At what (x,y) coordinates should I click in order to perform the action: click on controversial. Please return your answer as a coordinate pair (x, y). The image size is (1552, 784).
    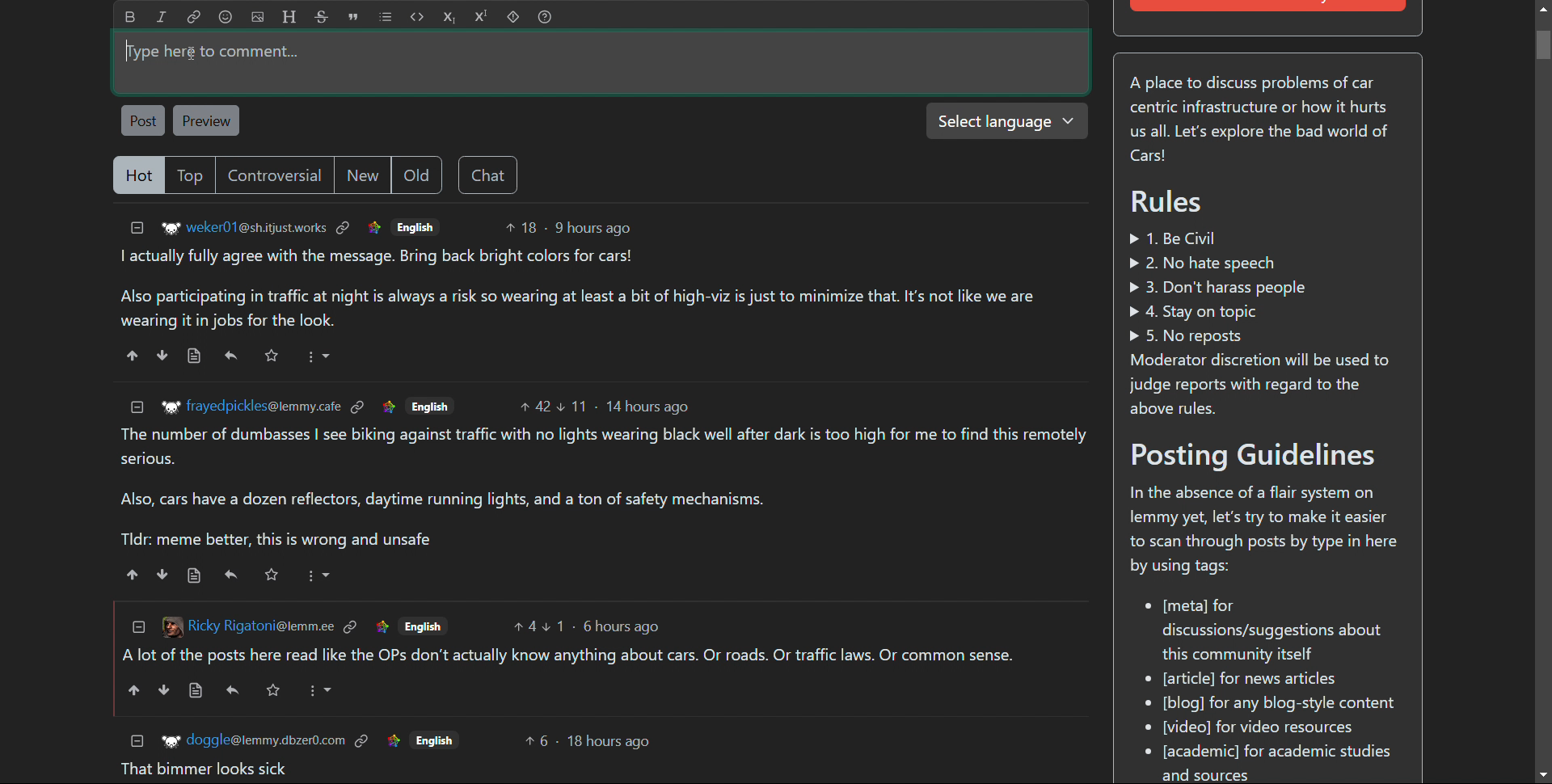
    Looking at the image, I should click on (273, 175).